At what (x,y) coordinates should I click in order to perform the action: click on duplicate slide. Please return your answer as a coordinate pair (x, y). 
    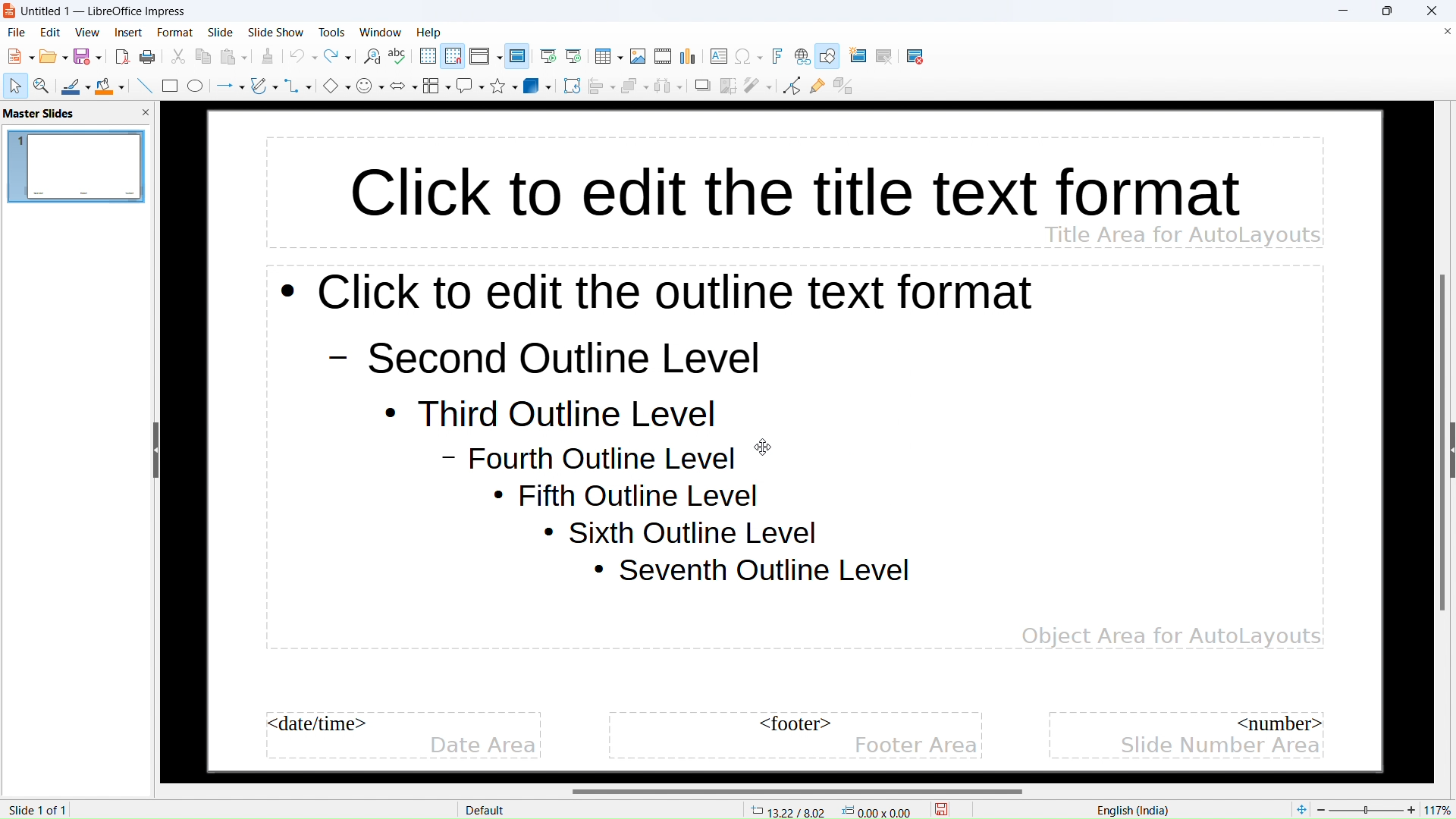
    Looking at the image, I should click on (893, 57).